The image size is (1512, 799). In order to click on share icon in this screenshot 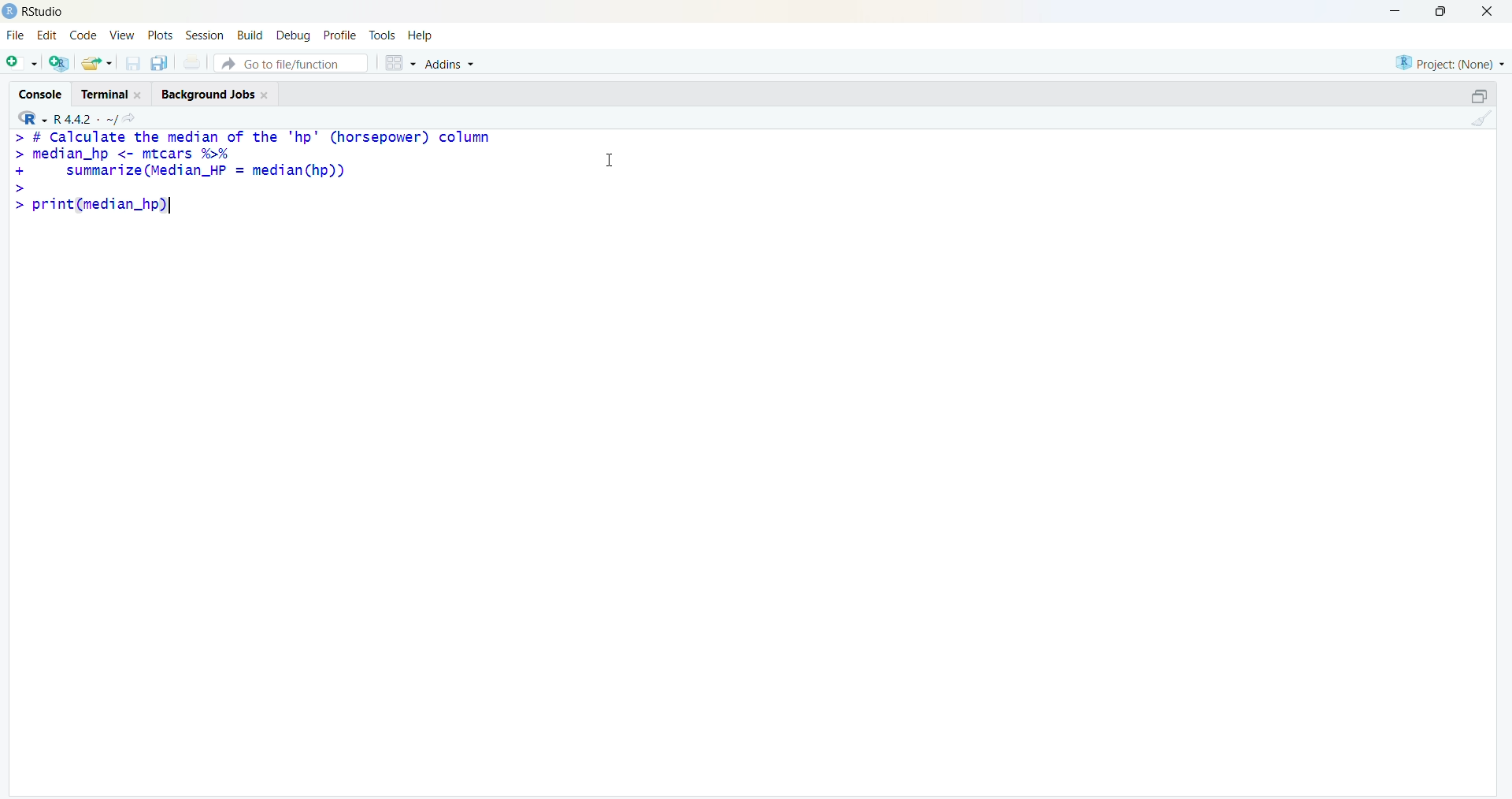, I will do `click(129, 120)`.